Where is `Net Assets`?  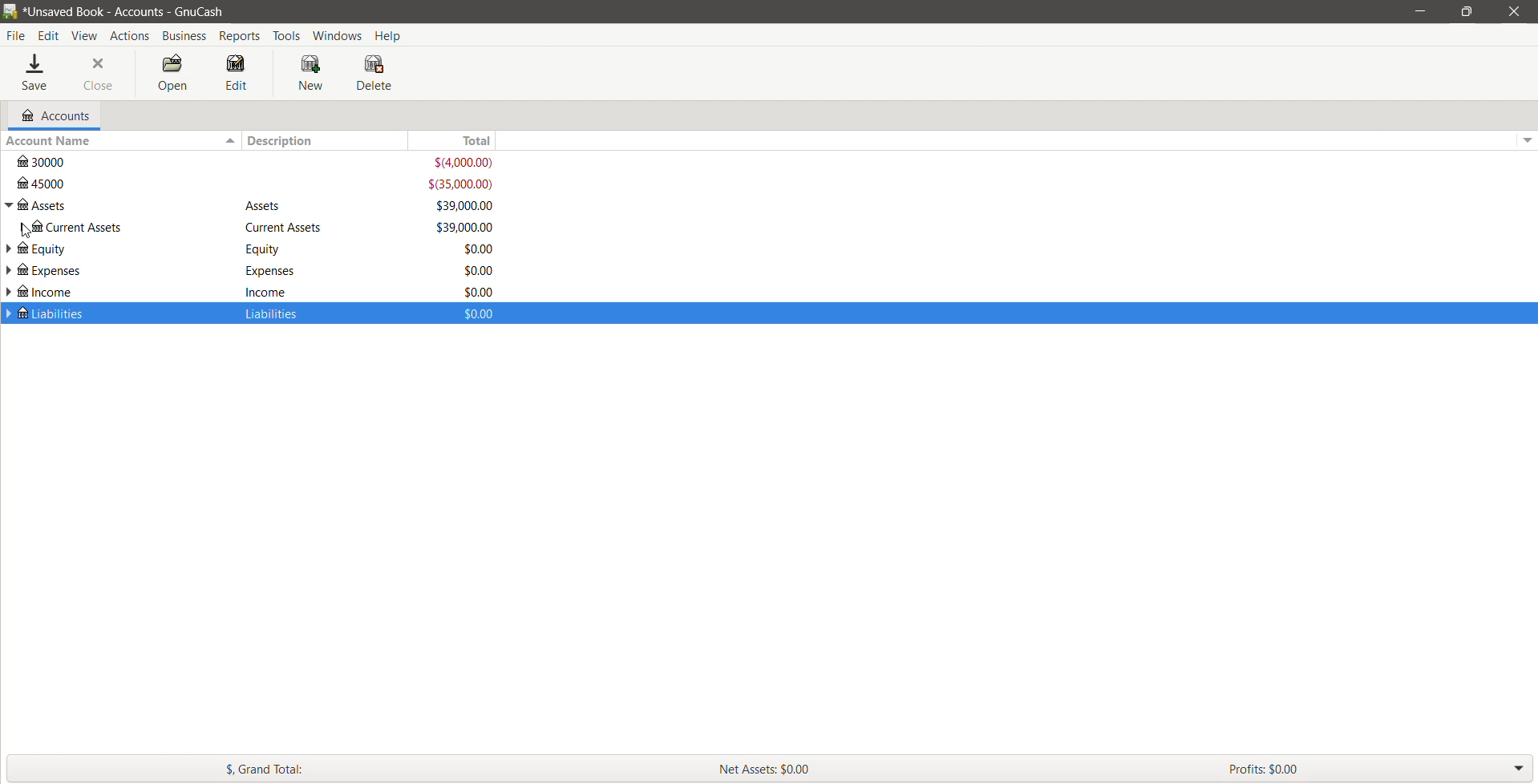 Net Assets is located at coordinates (941, 770).